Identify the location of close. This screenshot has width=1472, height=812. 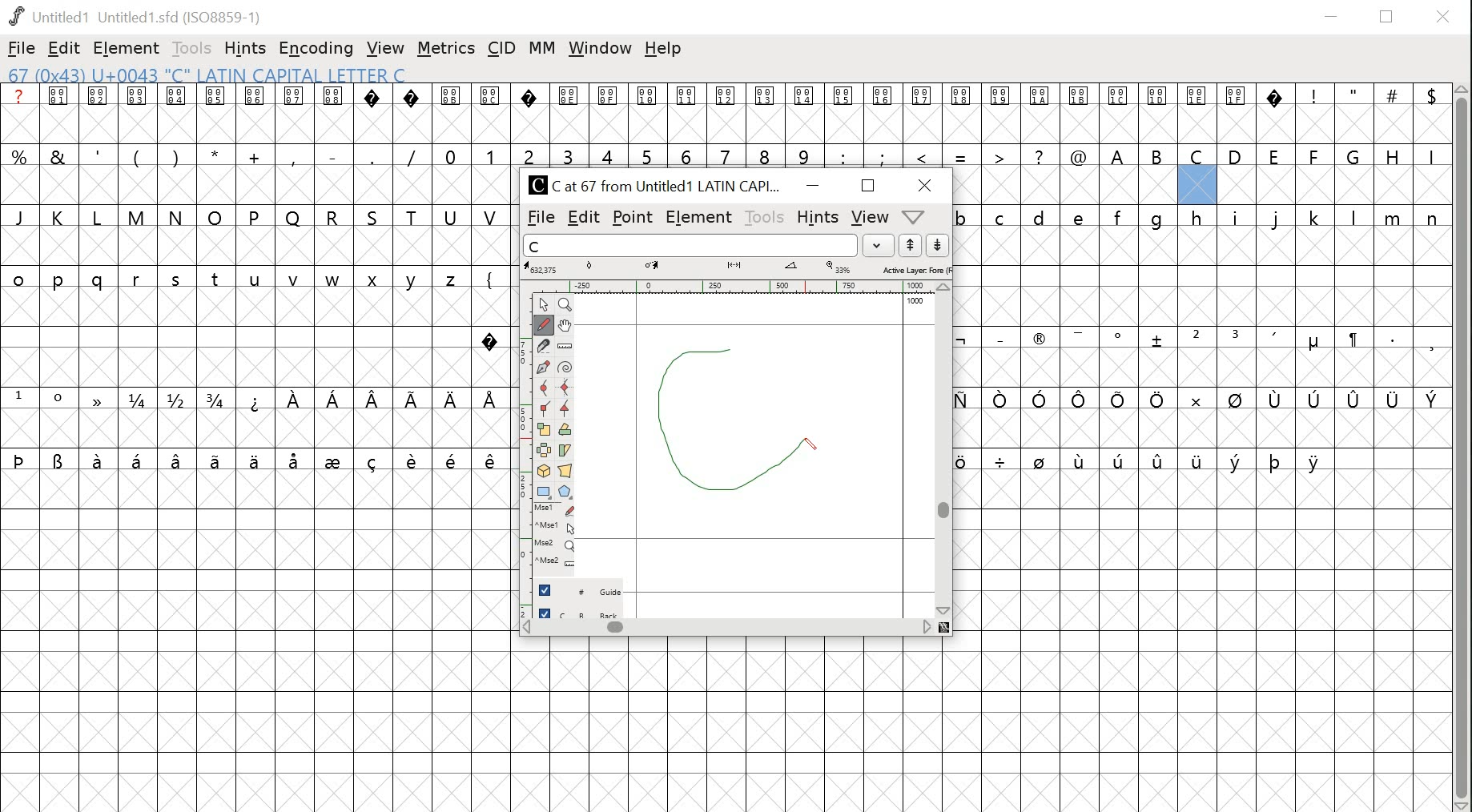
(927, 184).